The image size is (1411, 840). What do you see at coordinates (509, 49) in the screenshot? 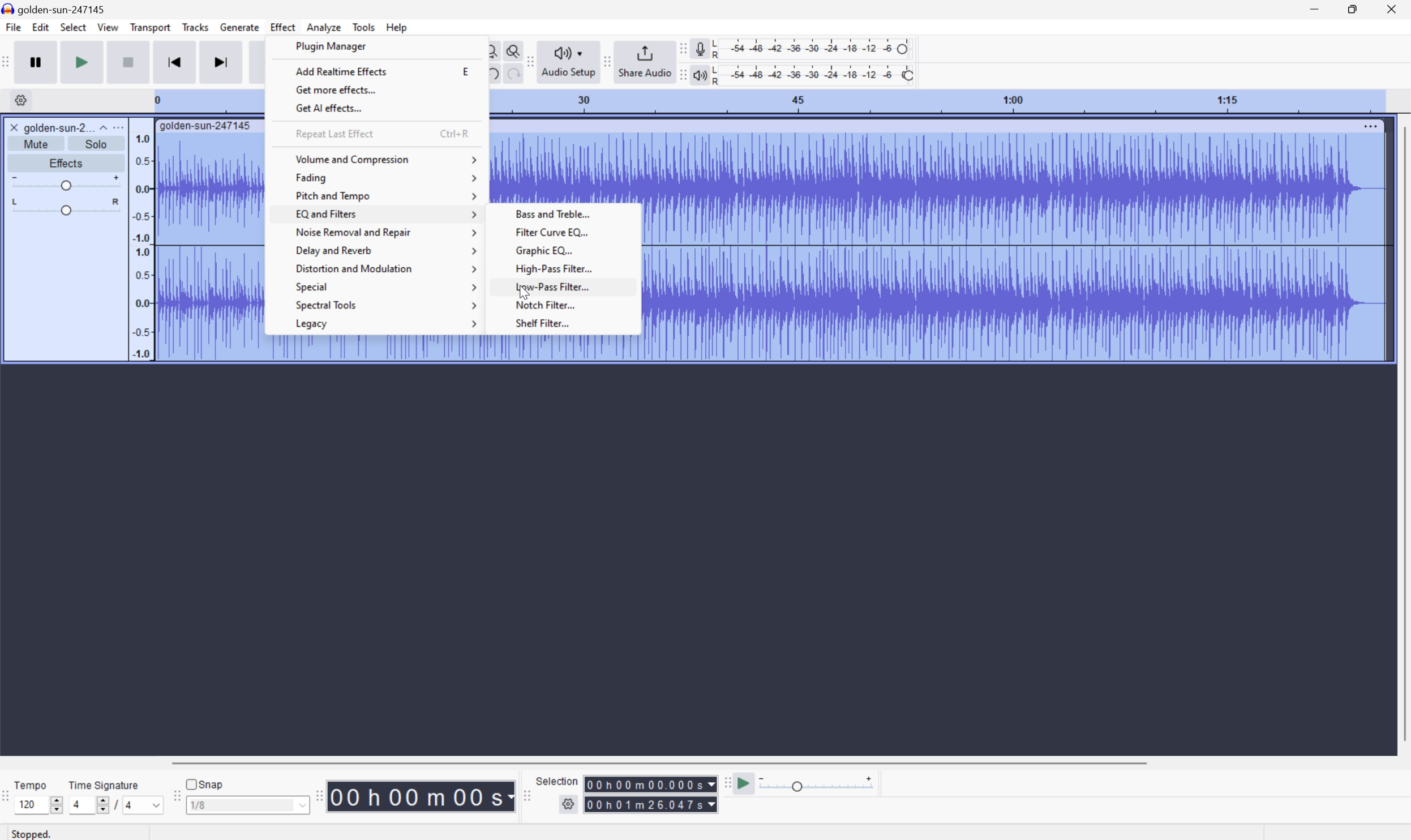
I see `Zoom toggle` at bounding box center [509, 49].